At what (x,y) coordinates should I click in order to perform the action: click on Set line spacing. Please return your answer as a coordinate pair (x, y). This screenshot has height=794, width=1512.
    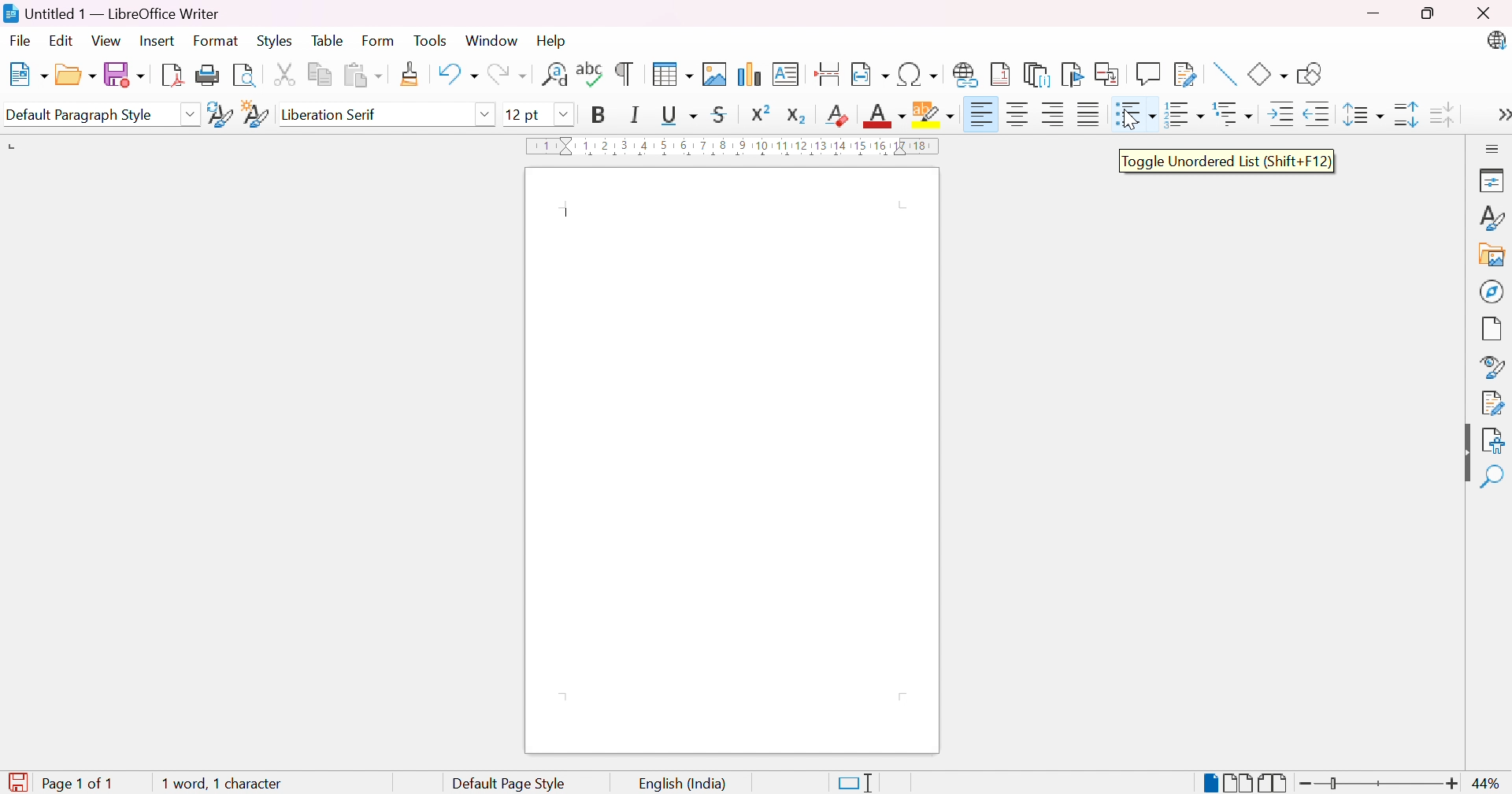
    Looking at the image, I should click on (1366, 115).